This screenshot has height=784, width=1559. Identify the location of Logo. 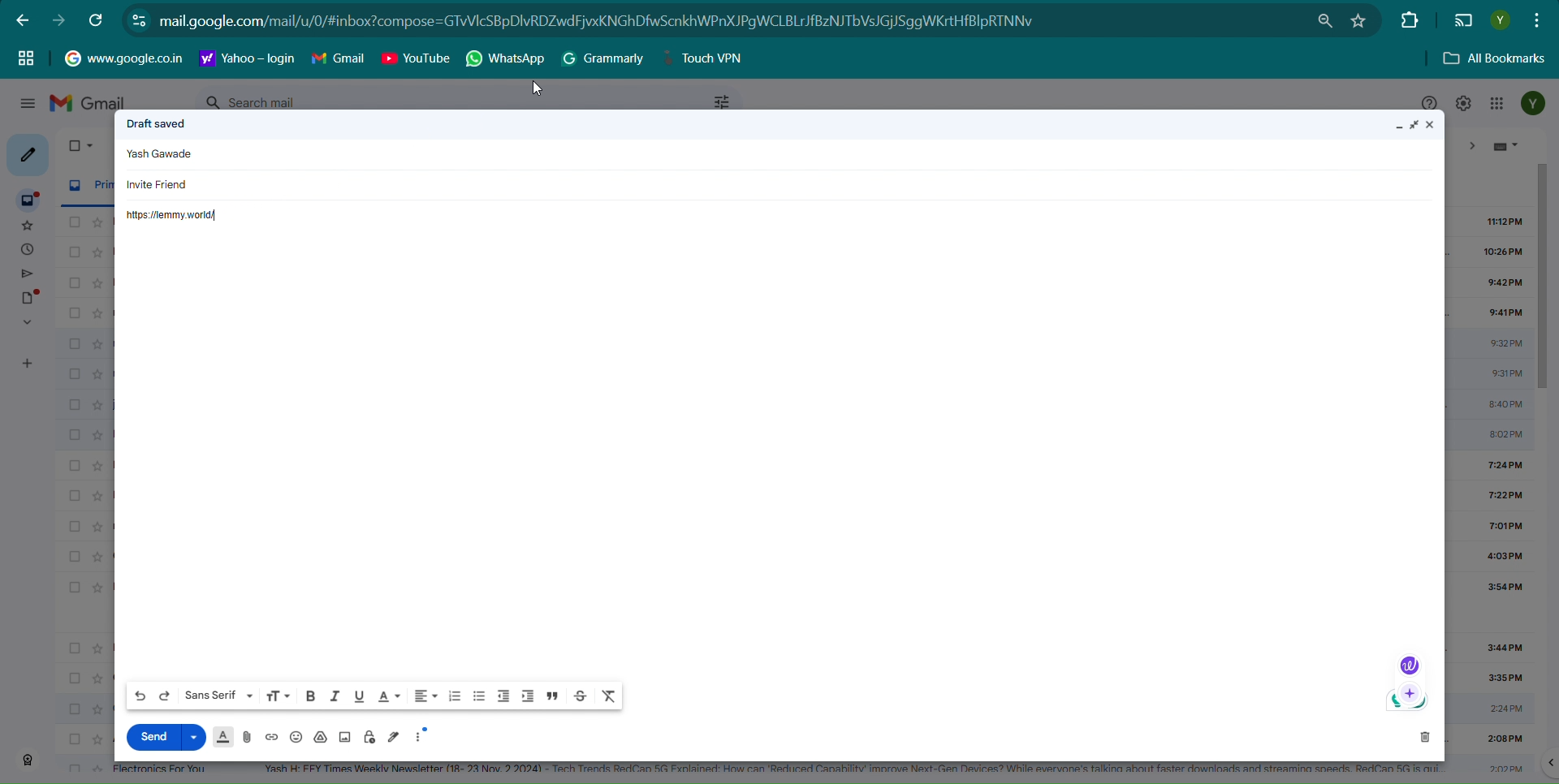
(1408, 665).